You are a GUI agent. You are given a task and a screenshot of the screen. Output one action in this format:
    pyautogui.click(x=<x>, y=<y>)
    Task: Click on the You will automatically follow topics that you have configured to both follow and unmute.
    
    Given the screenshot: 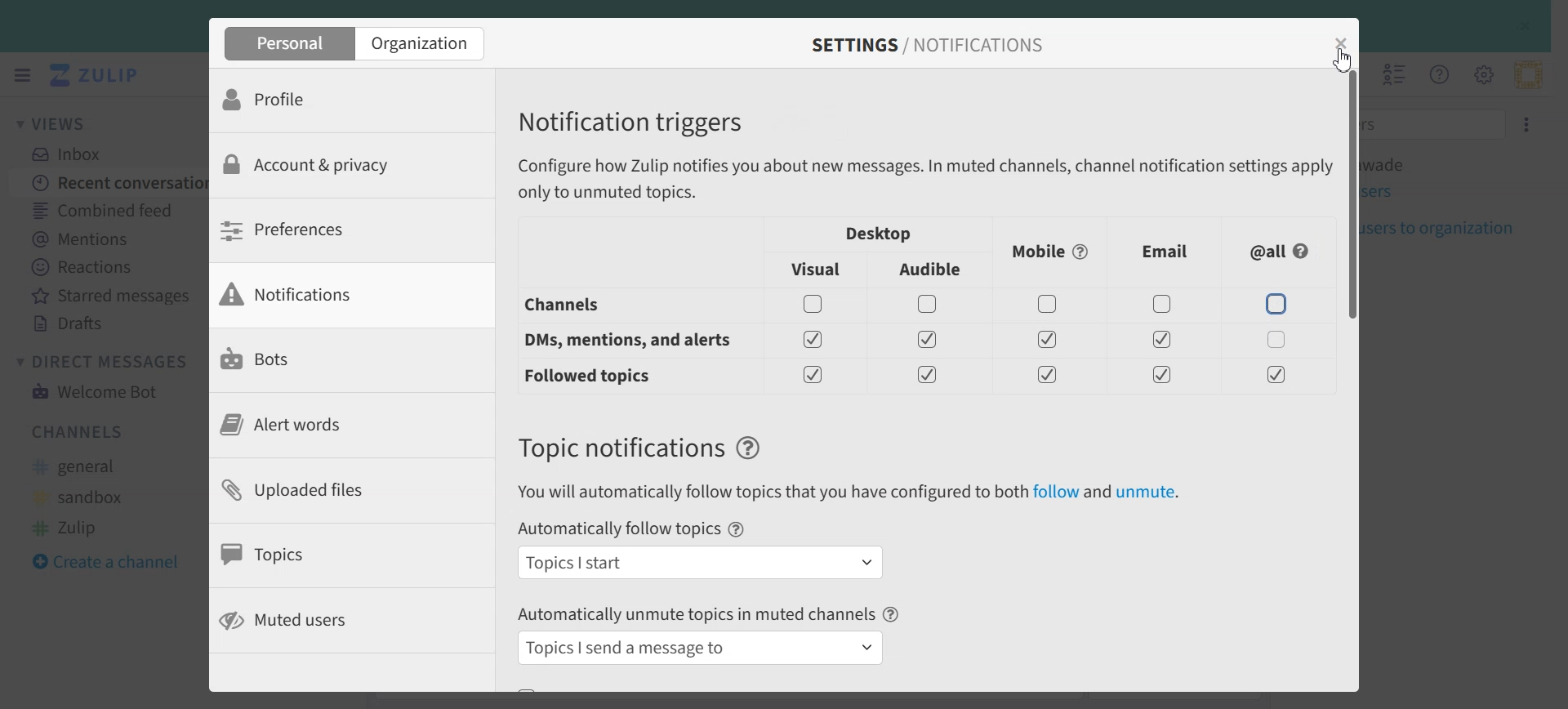 What is the action you would take?
    pyautogui.click(x=848, y=493)
    